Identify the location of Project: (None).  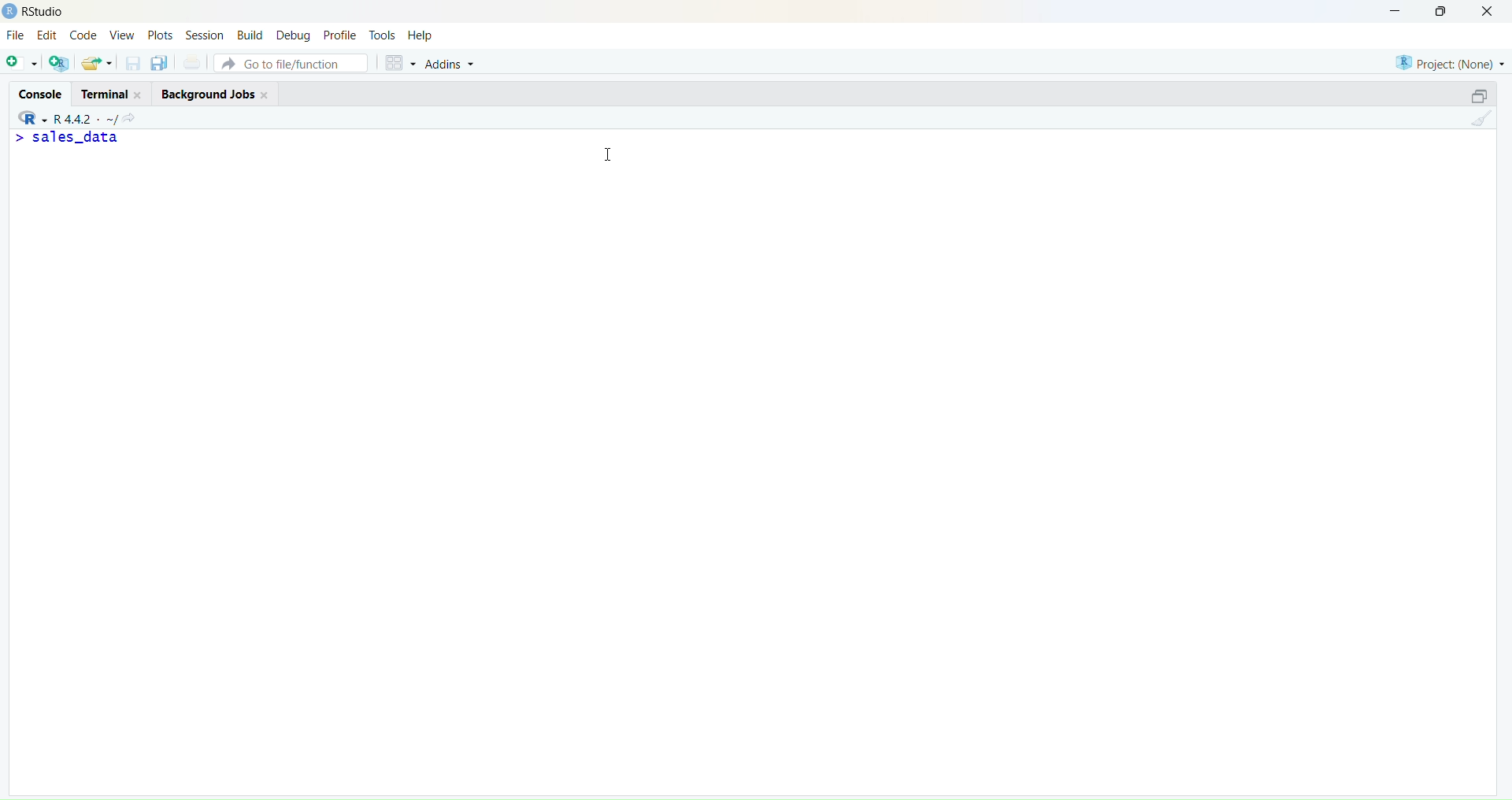
(1450, 61).